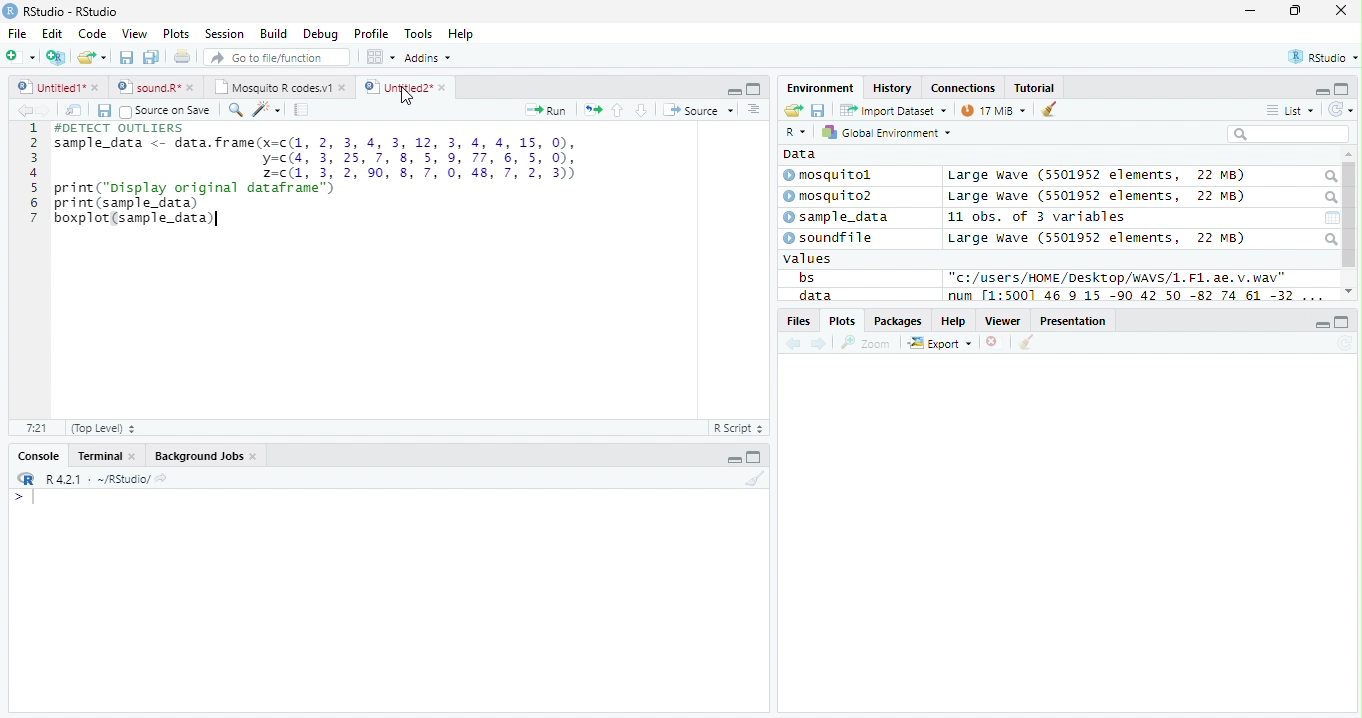 This screenshot has width=1362, height=718. Describe the element at coordinates (808, 259) in the screenshot. I see `values` at that location.